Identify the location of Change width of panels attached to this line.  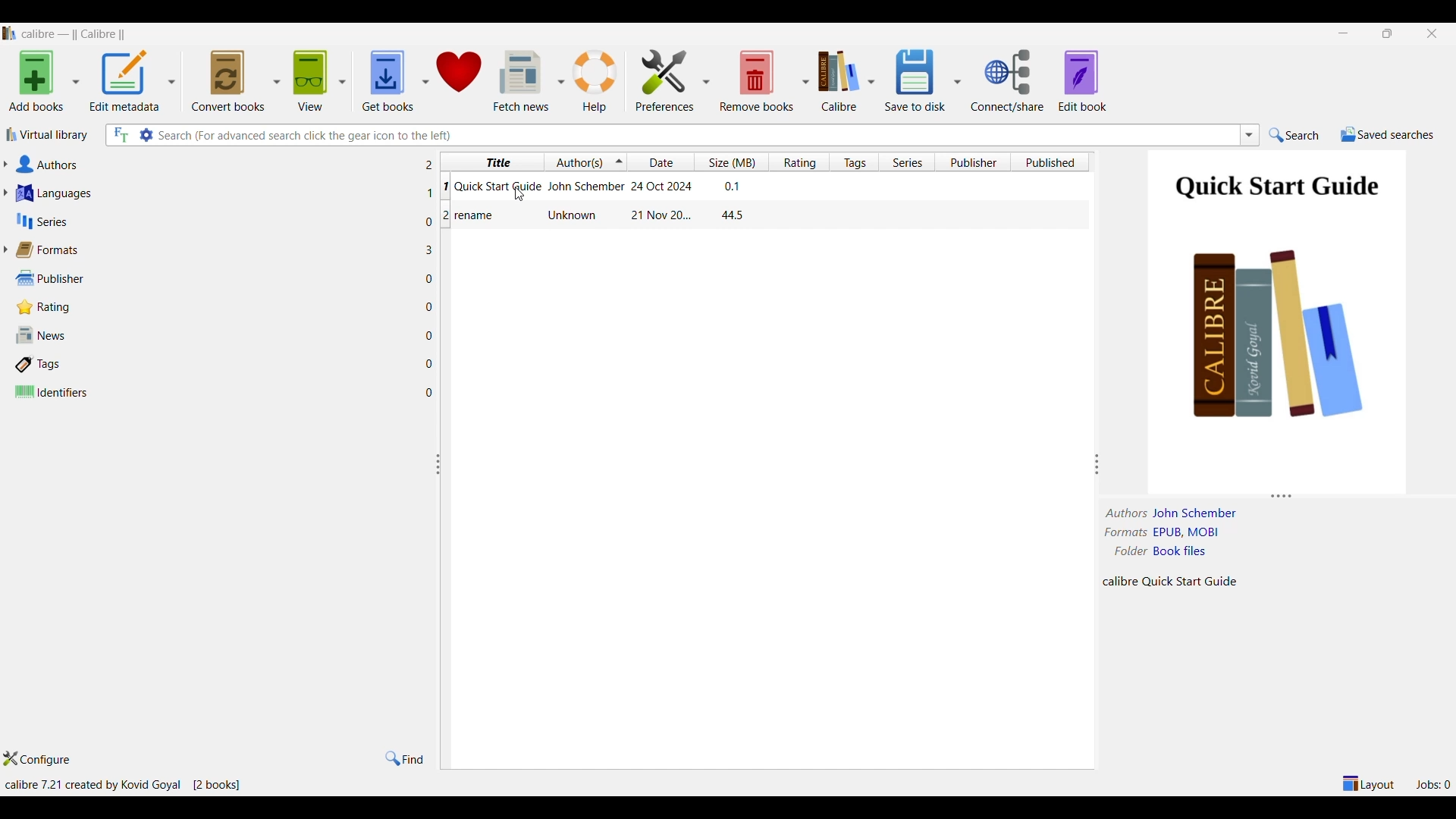
(1097, 437).